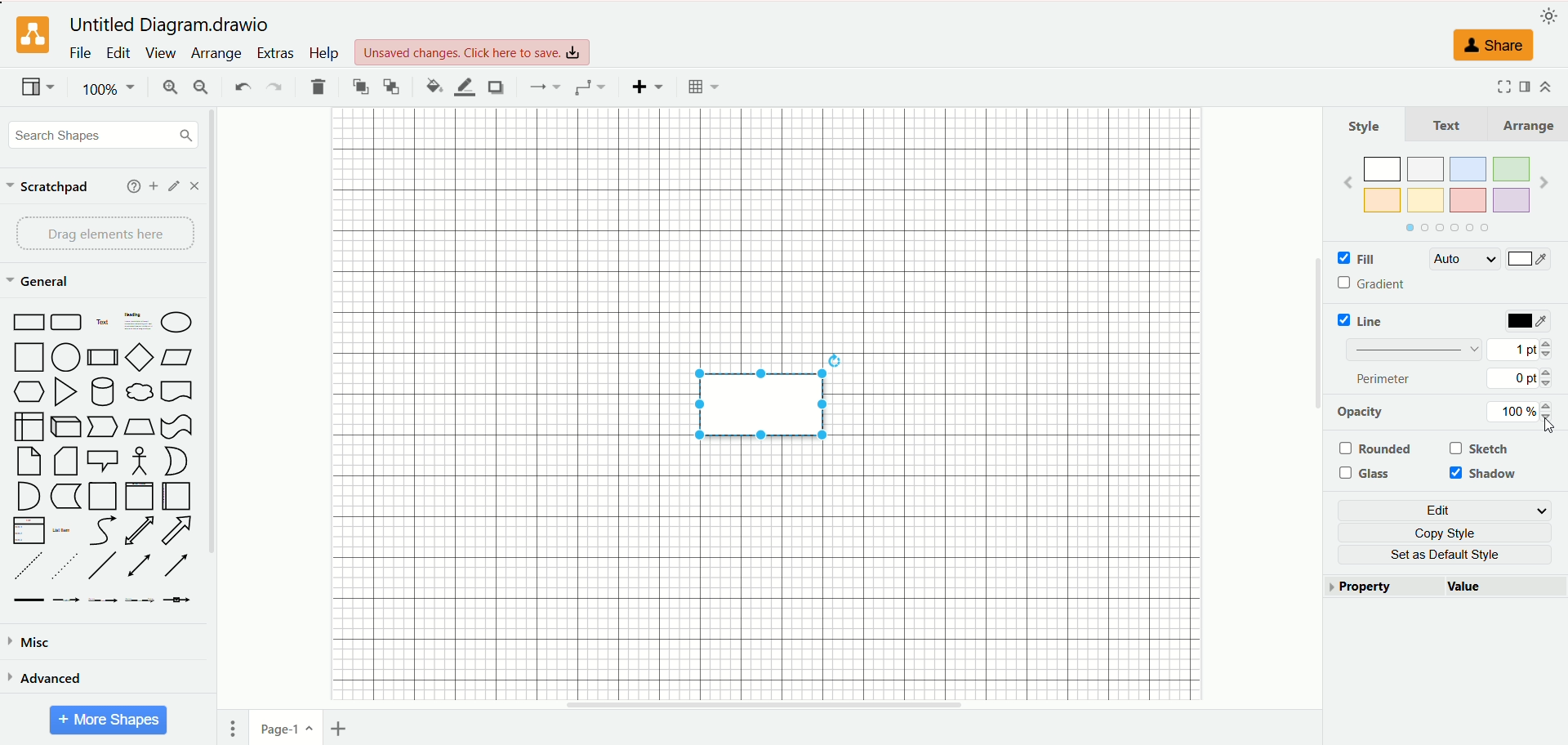  What do you see at coordinates (362, 86) in the screenshot?
I see `to front` at bounding box center [362, 86].